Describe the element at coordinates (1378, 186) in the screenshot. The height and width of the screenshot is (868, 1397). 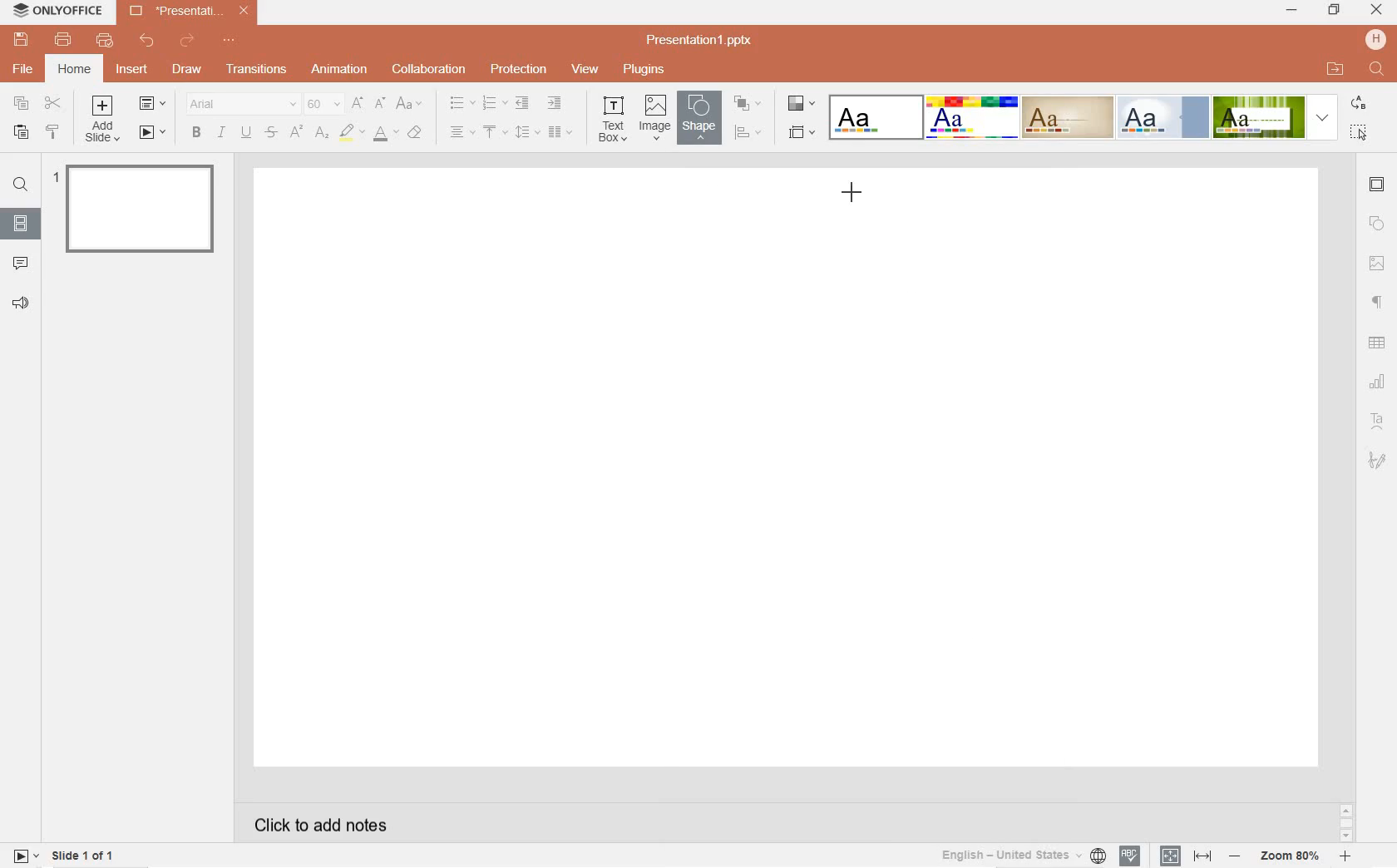
I see `slide settings` at that location.